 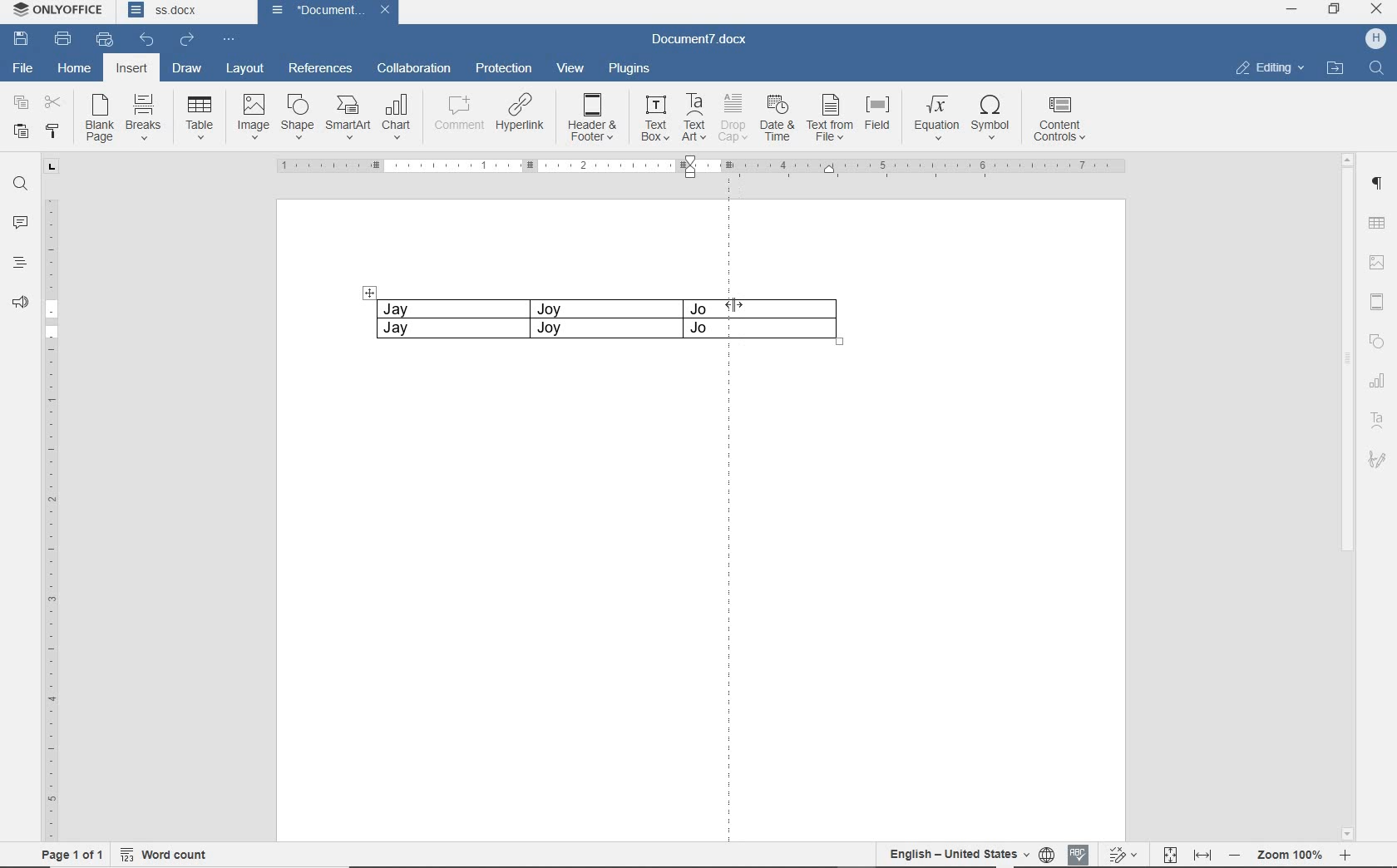 What do you see at coordinates (1080, 852) in the screenshot?
I see `SPELL CHECKING` at bounding box center [1080, 852].